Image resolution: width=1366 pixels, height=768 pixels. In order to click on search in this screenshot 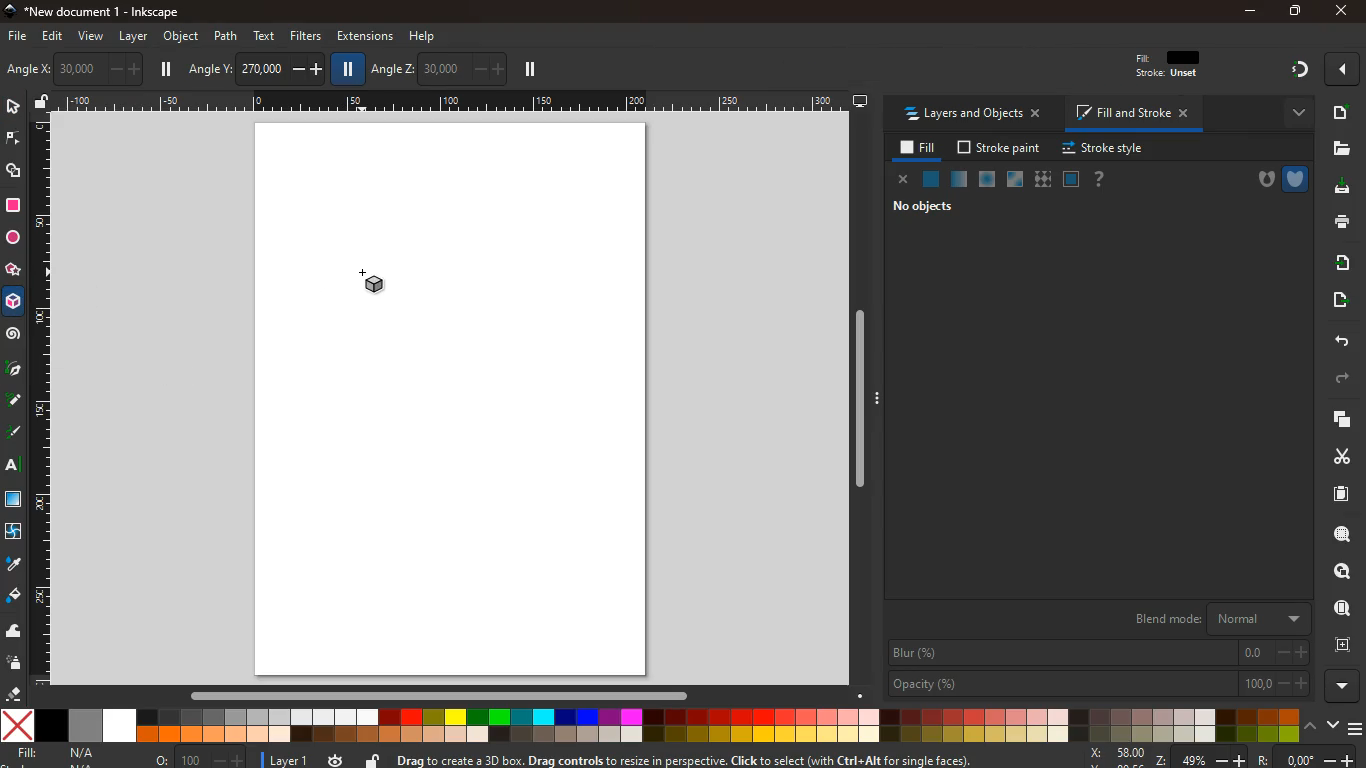, I will do `click(1338, 536)`.